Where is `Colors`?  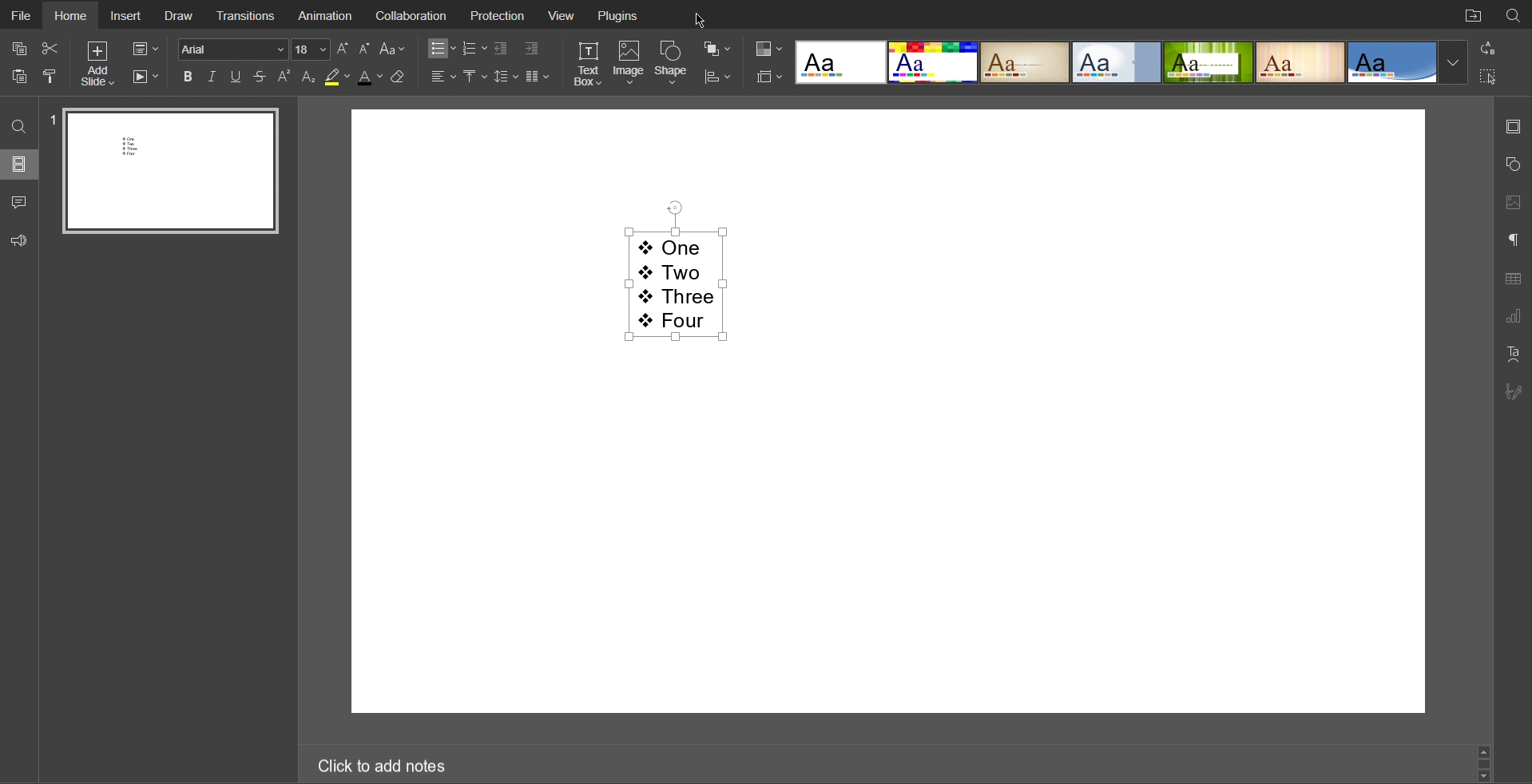
Colors is located at coordinates (768, 49).